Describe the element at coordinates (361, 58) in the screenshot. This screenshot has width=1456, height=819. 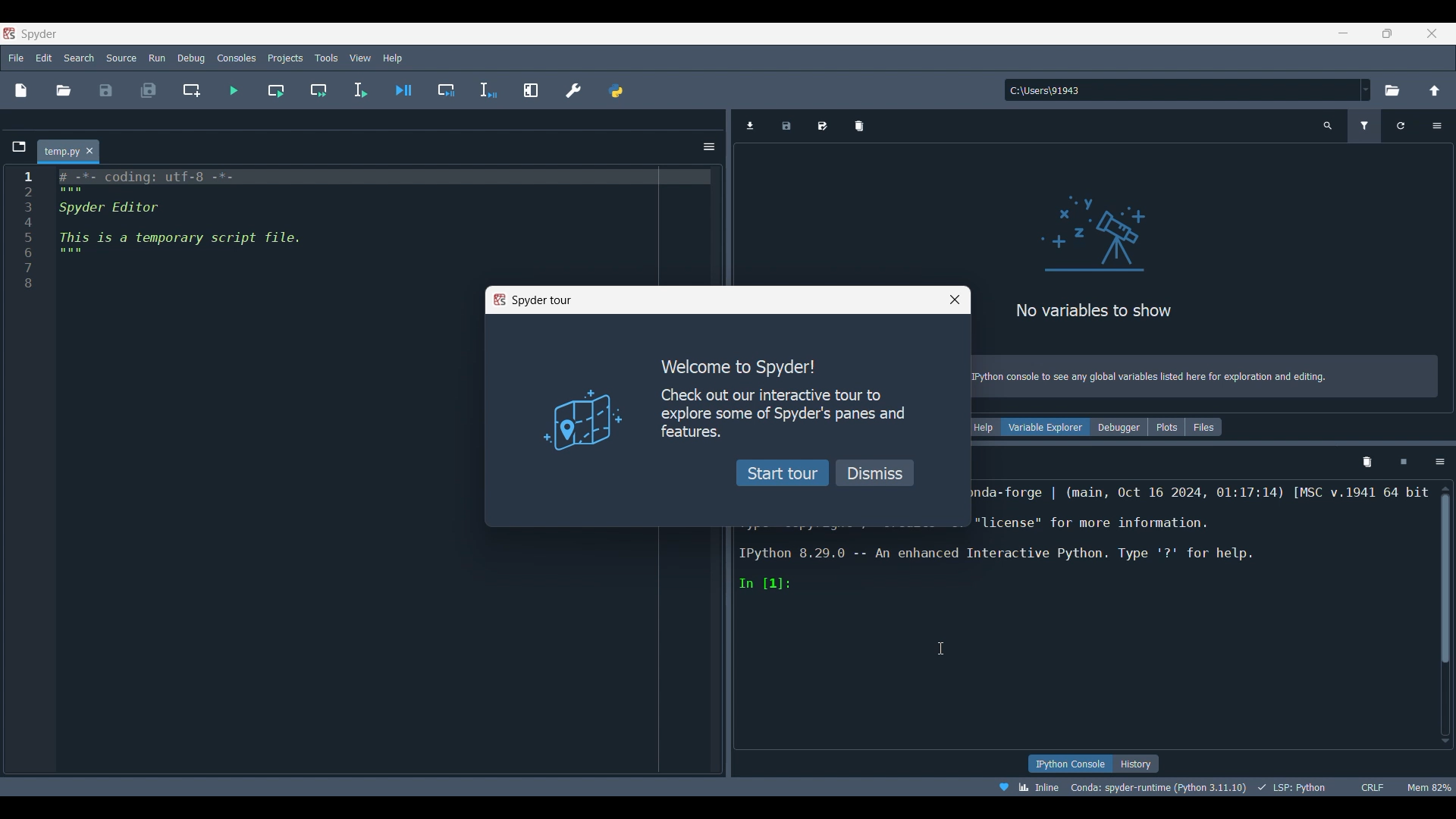
I see `View menu` at that location.